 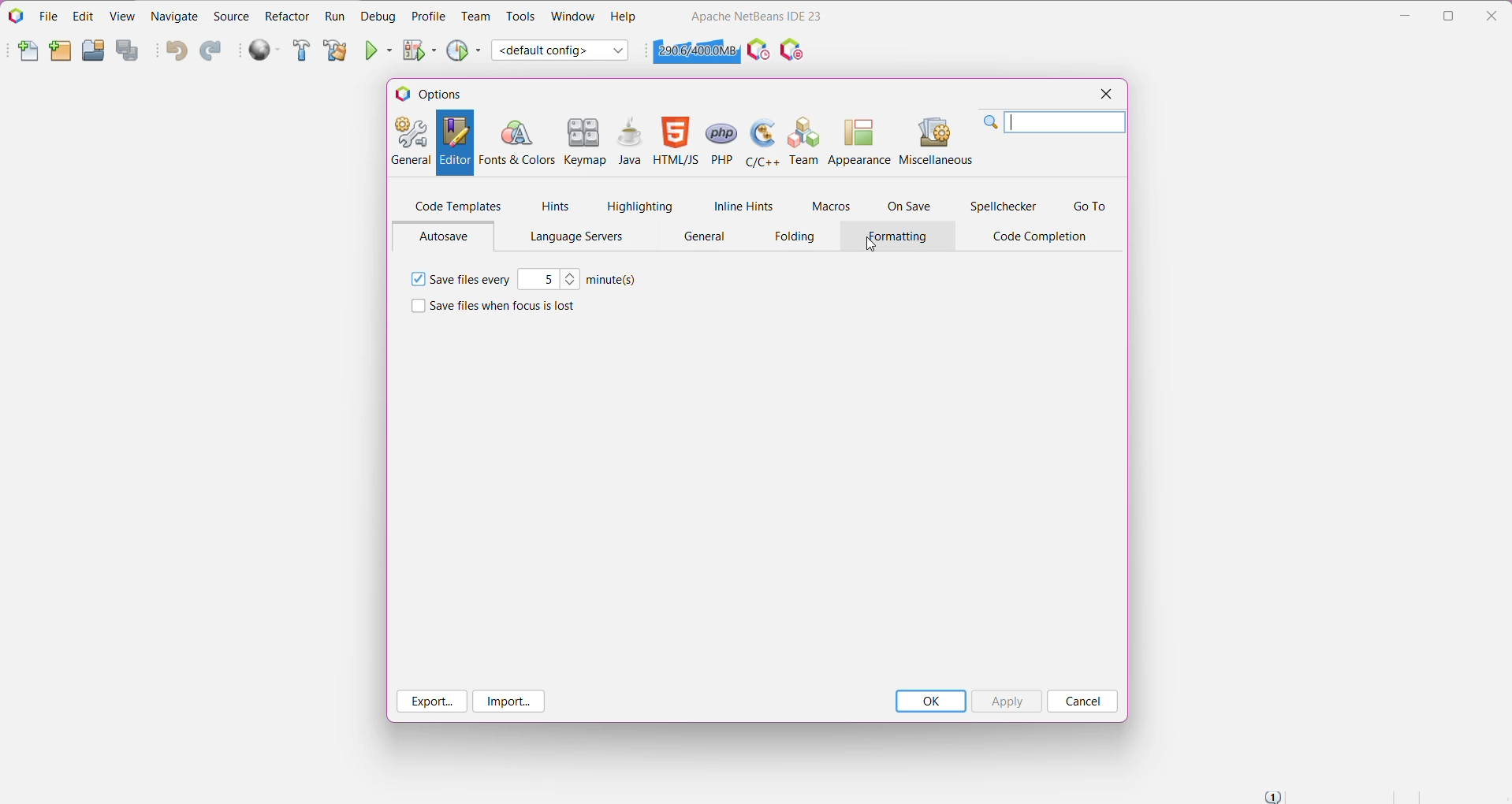 What do you see at coordinates (464, 50) in the screenshot?
I see `Profile Project` at bounding box center [464, 50].